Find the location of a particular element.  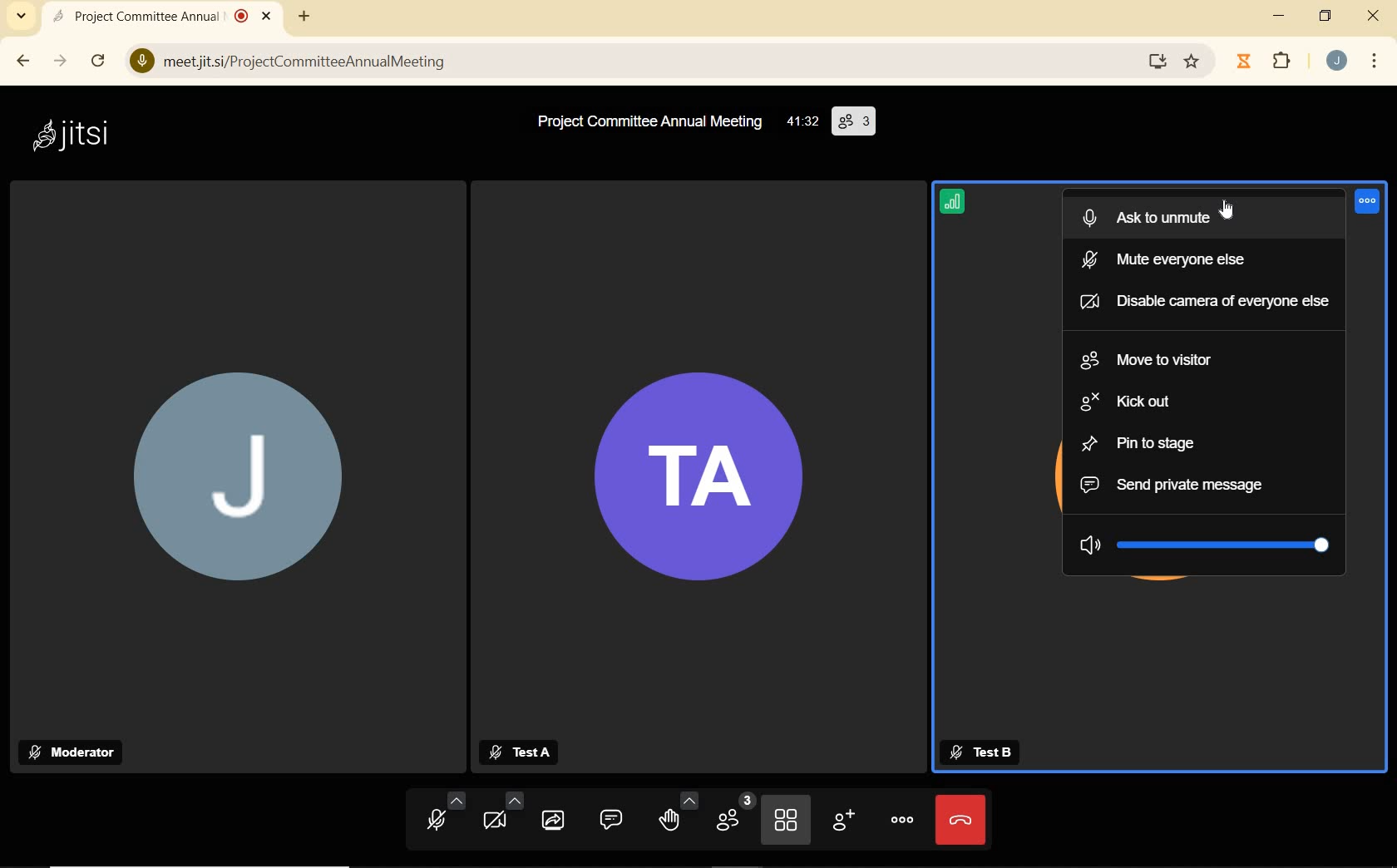

SEARCH TAB is located at coordinates (22, 18).